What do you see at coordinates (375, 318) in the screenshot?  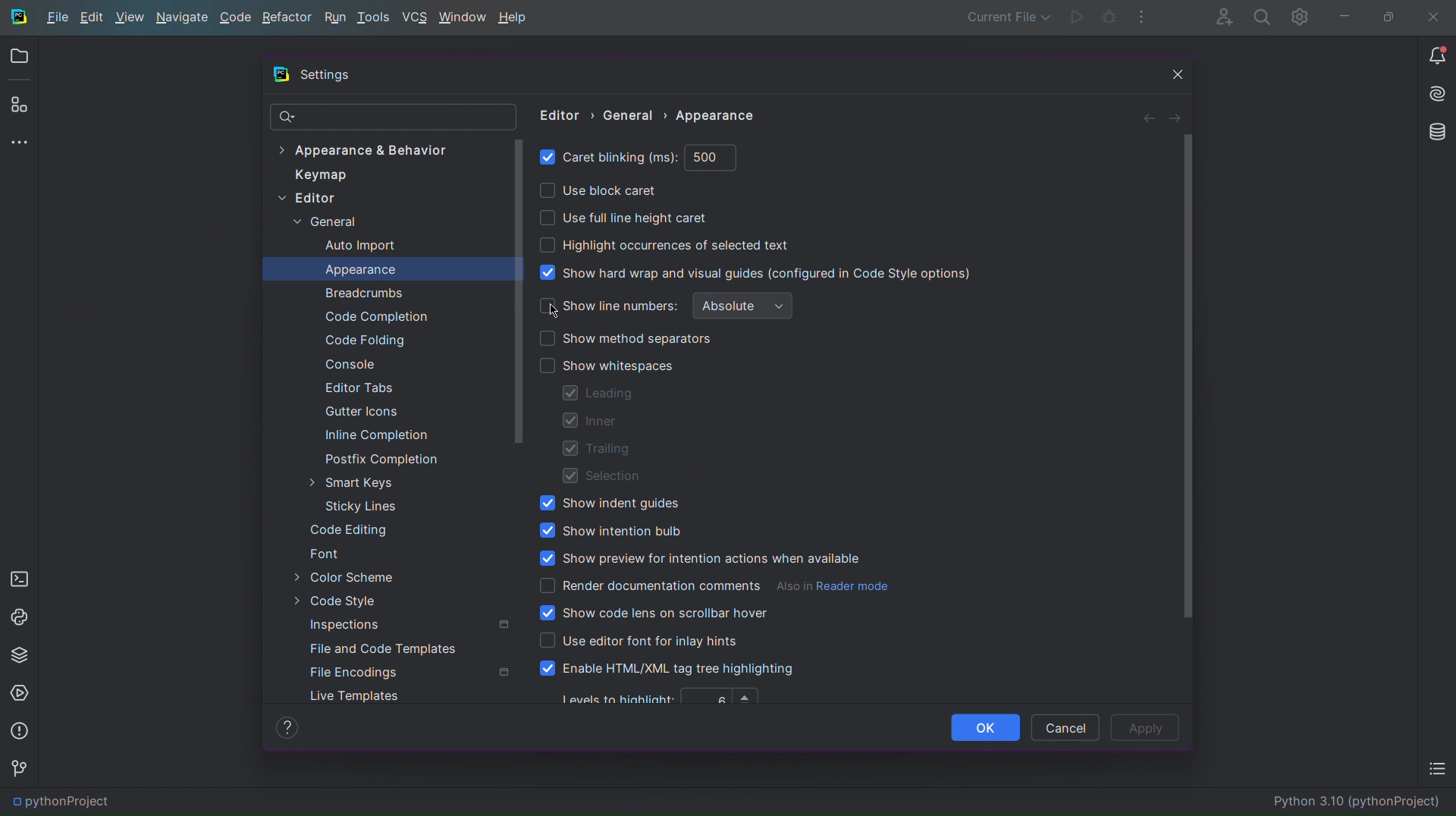 I see `Code Completion` at bounding box center [375, 318].